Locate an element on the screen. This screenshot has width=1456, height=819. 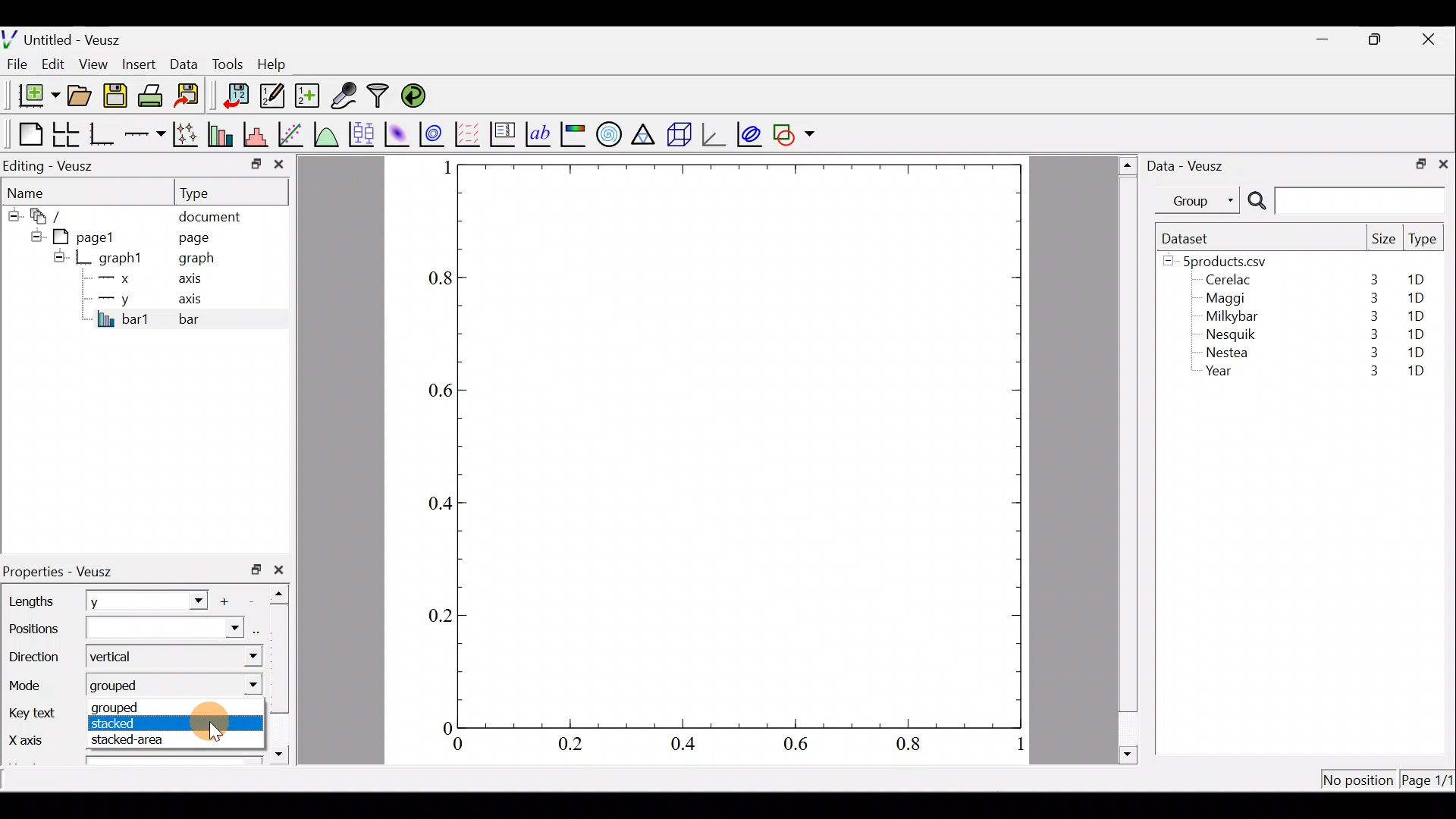
3 is located at coordinates (1370, 355).